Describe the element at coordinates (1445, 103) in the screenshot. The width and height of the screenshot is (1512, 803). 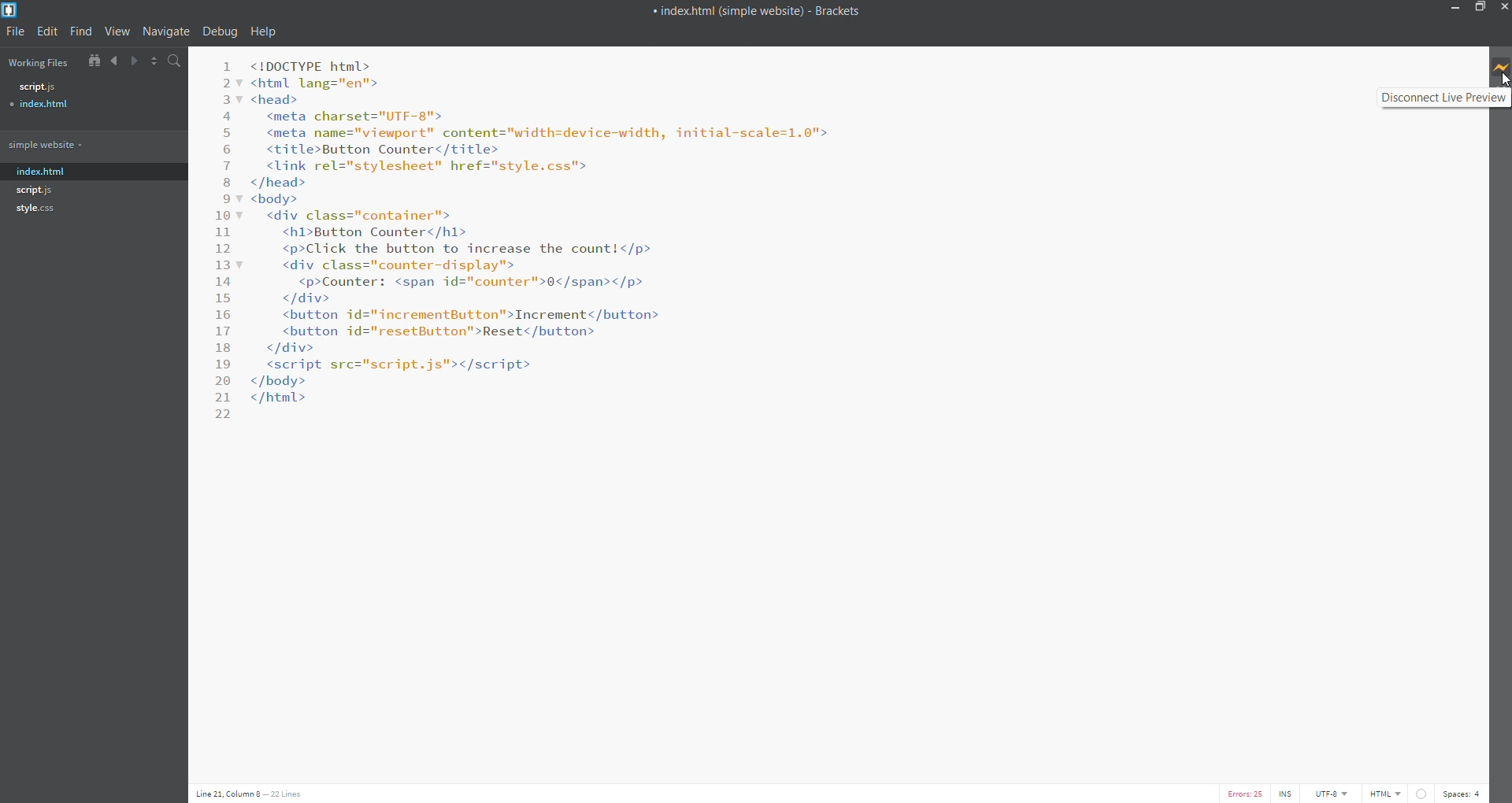
I see `disconnect live preview` at that location.